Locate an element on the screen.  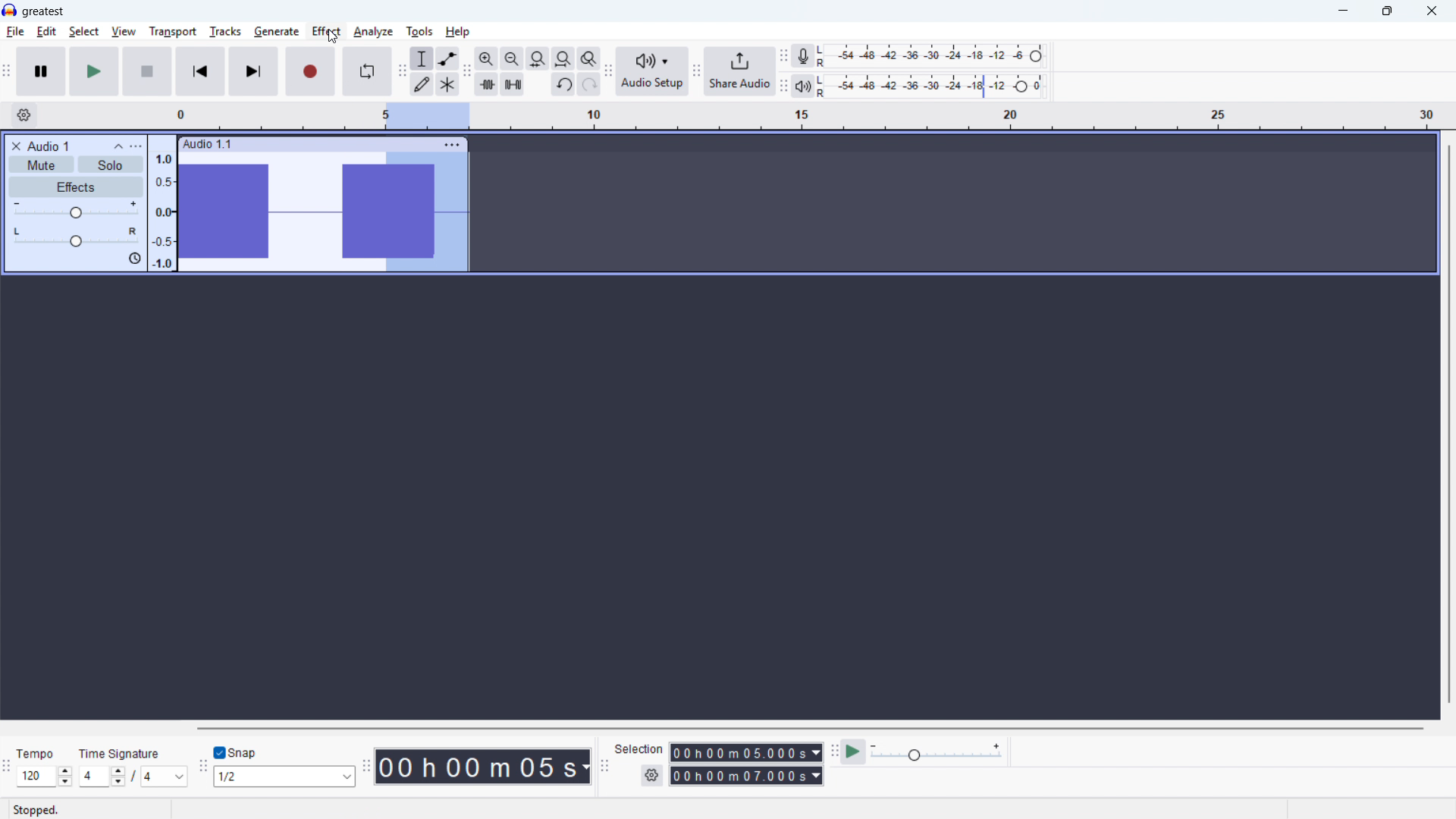
Selection start time  is located at coordinates (747, 752).